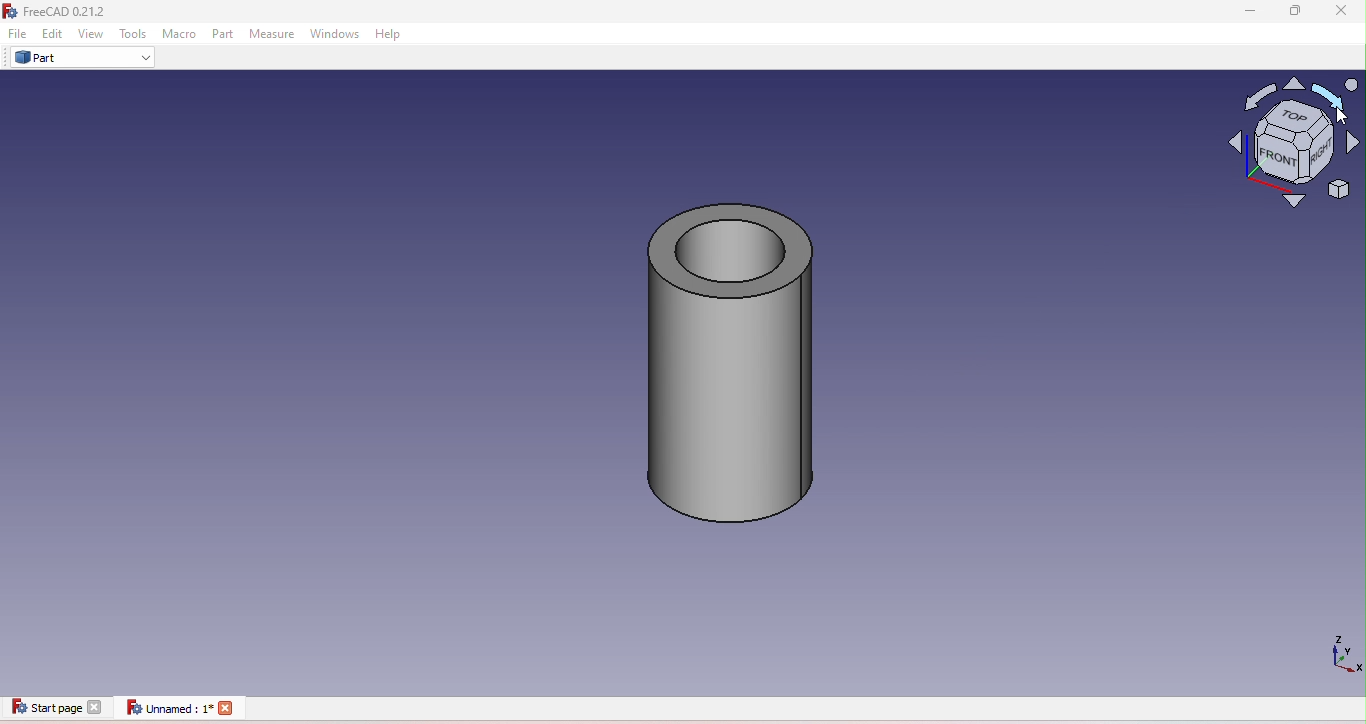 The width and height of the screenshot is (1366, 724). Describe the element at coordinates (717, 364) in the screenshot. I see `Cylinder` at that location.